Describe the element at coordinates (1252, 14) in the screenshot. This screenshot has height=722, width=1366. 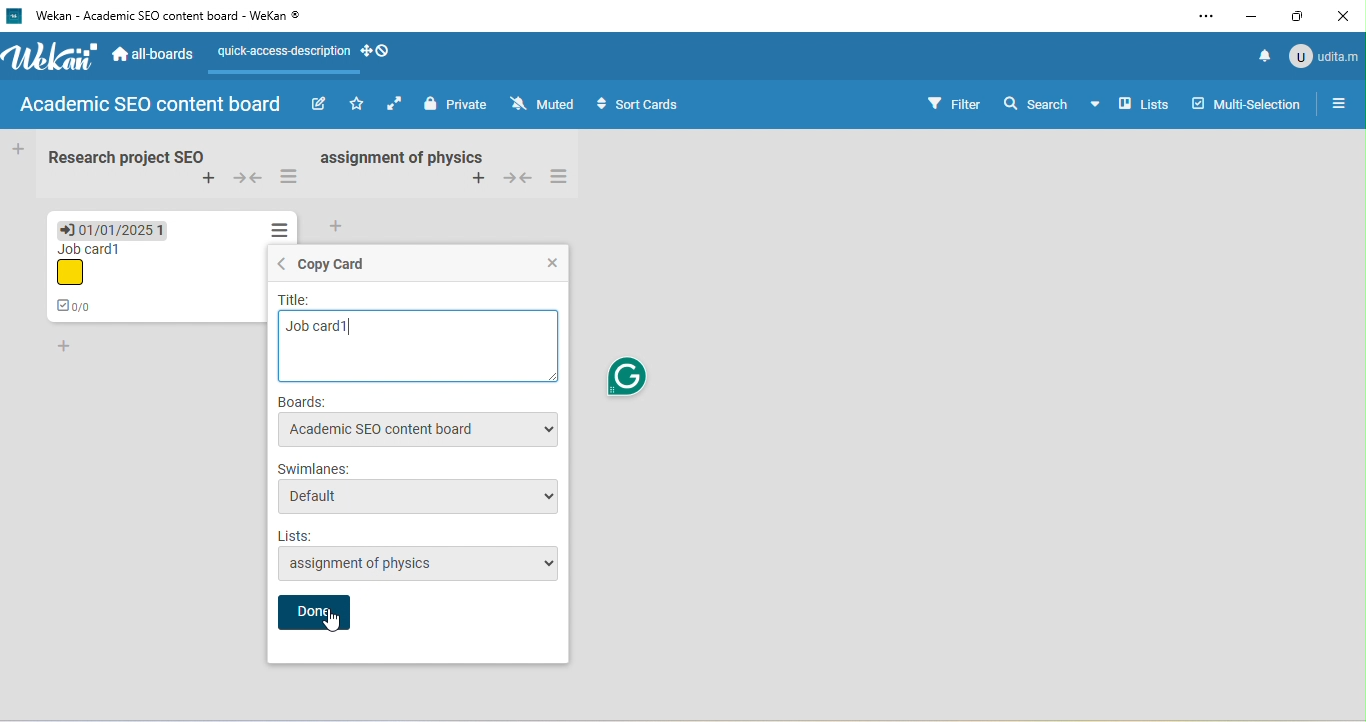
I see `minimize` at that location.